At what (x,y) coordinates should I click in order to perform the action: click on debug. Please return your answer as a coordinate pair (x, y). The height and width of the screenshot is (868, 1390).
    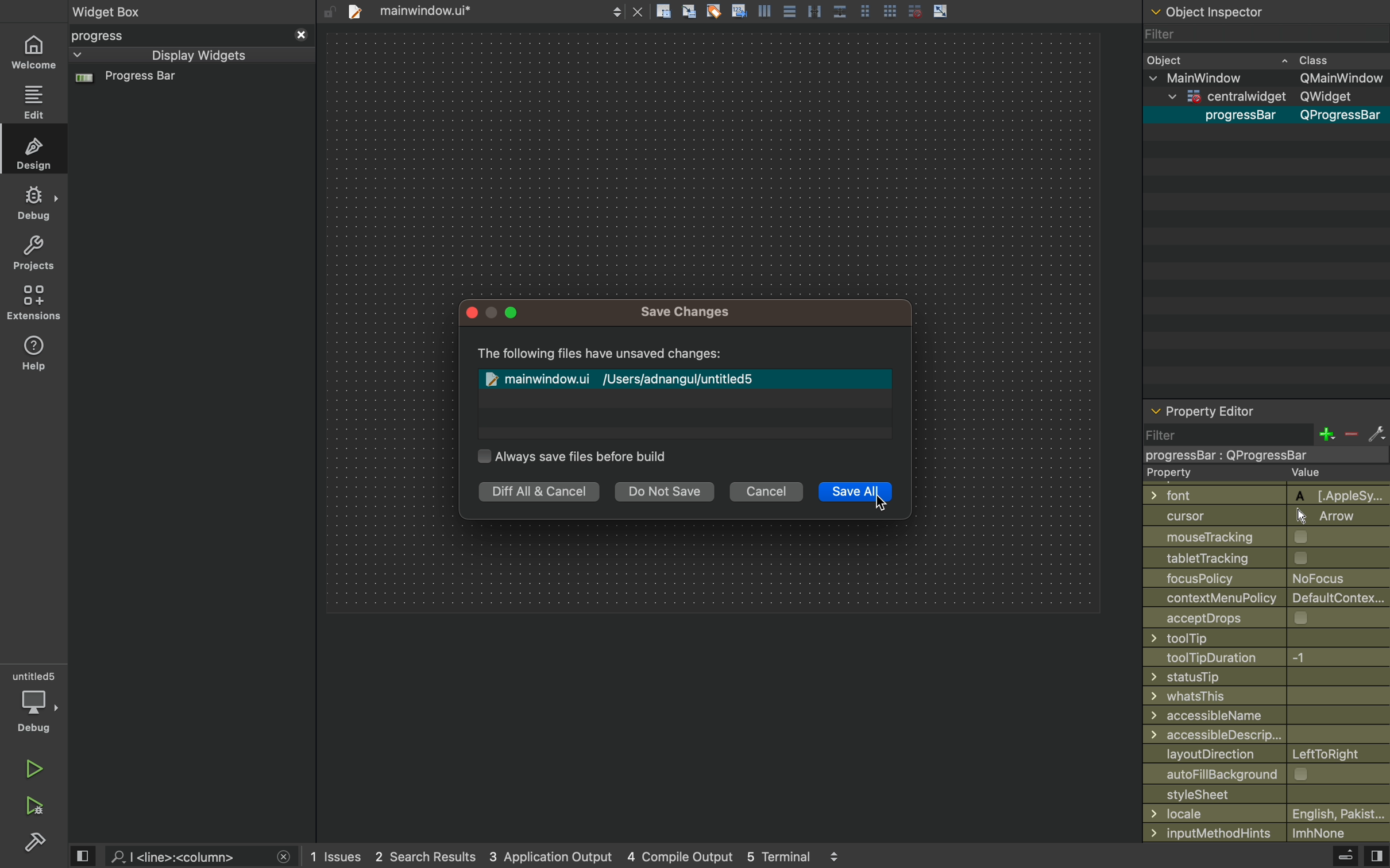
    Looking at the image, I should click on (35, 202).